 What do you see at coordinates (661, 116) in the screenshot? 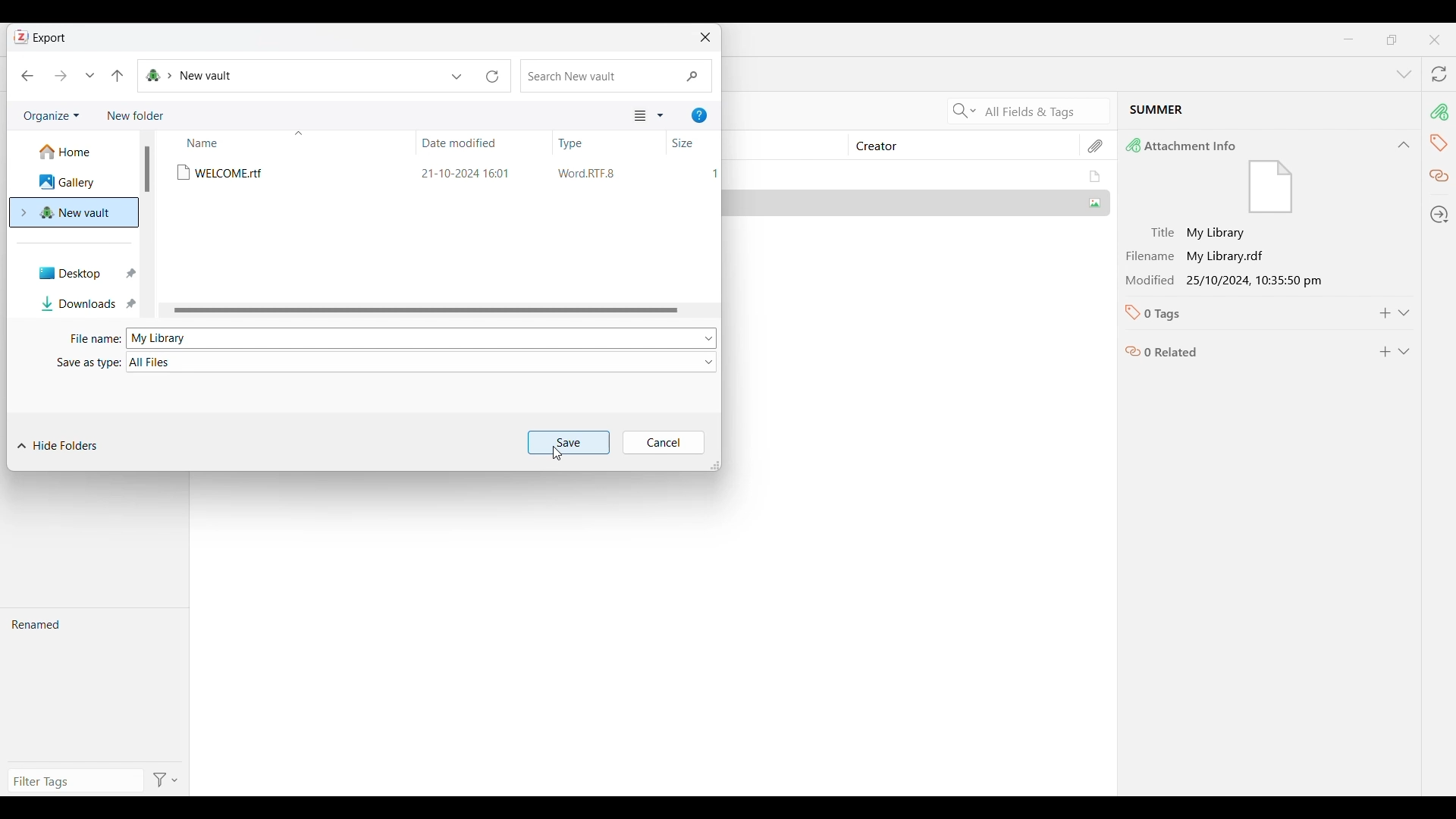
I see `More view ` at bounding box center [661, 116].